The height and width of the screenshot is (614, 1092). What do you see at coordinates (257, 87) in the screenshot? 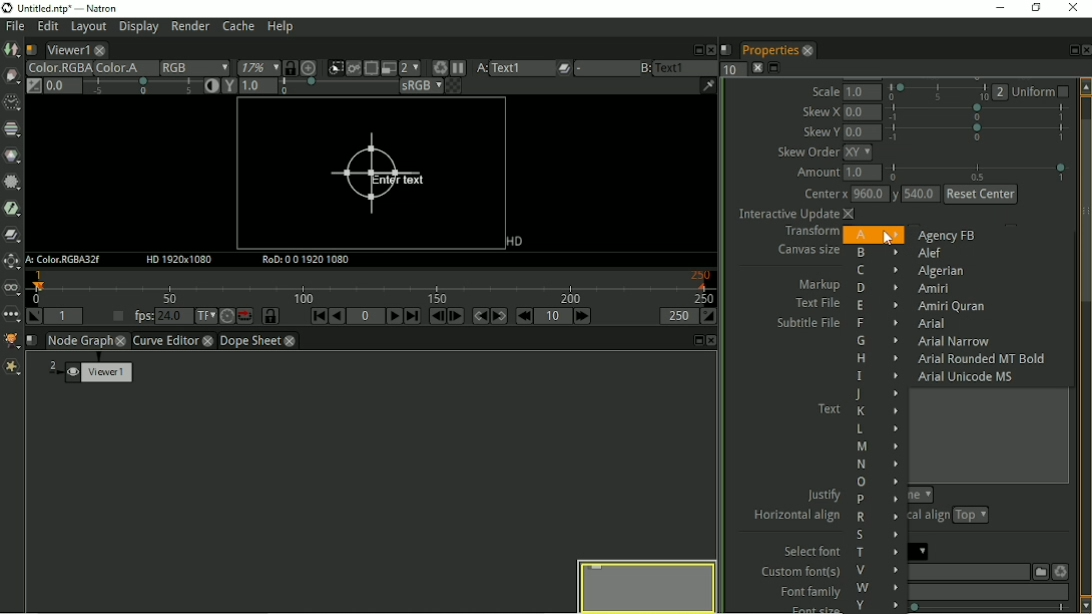
I see `Viewer gamma correction` at bounding box center [257, 87].